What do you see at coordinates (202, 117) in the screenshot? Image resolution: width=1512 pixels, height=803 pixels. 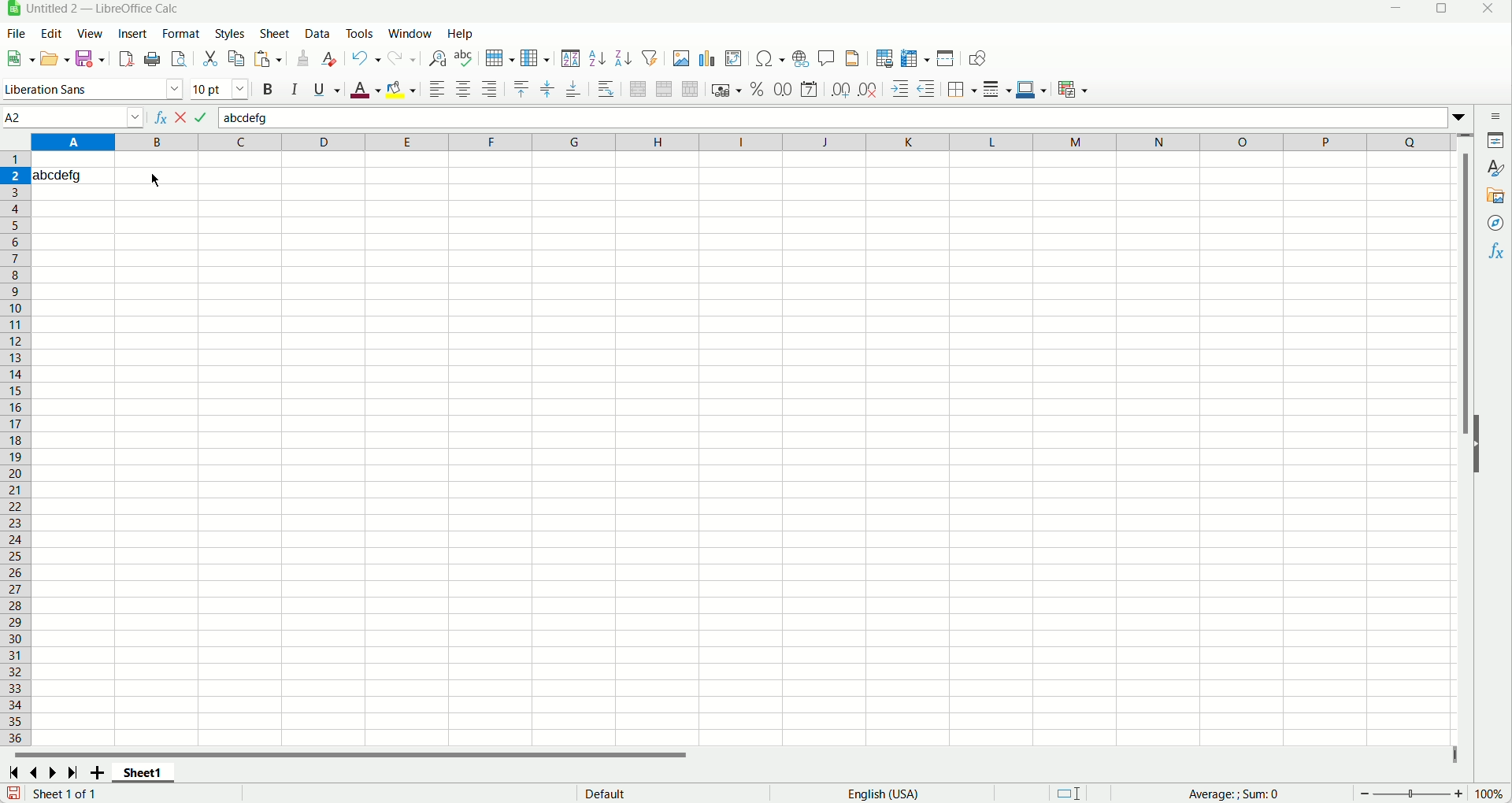 I see `accept` at bounding box center [202, 117].